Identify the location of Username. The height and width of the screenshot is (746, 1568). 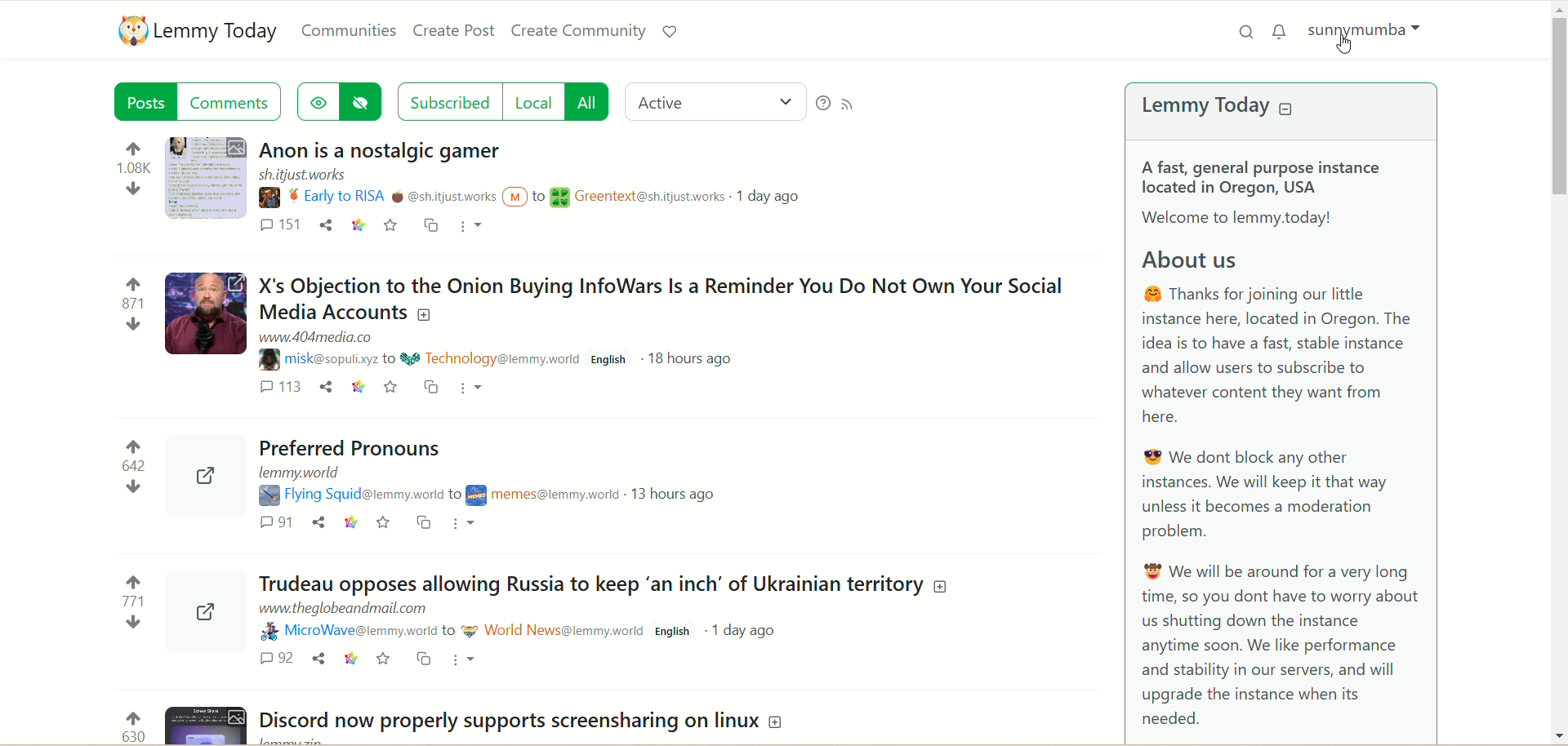
(353, 495).